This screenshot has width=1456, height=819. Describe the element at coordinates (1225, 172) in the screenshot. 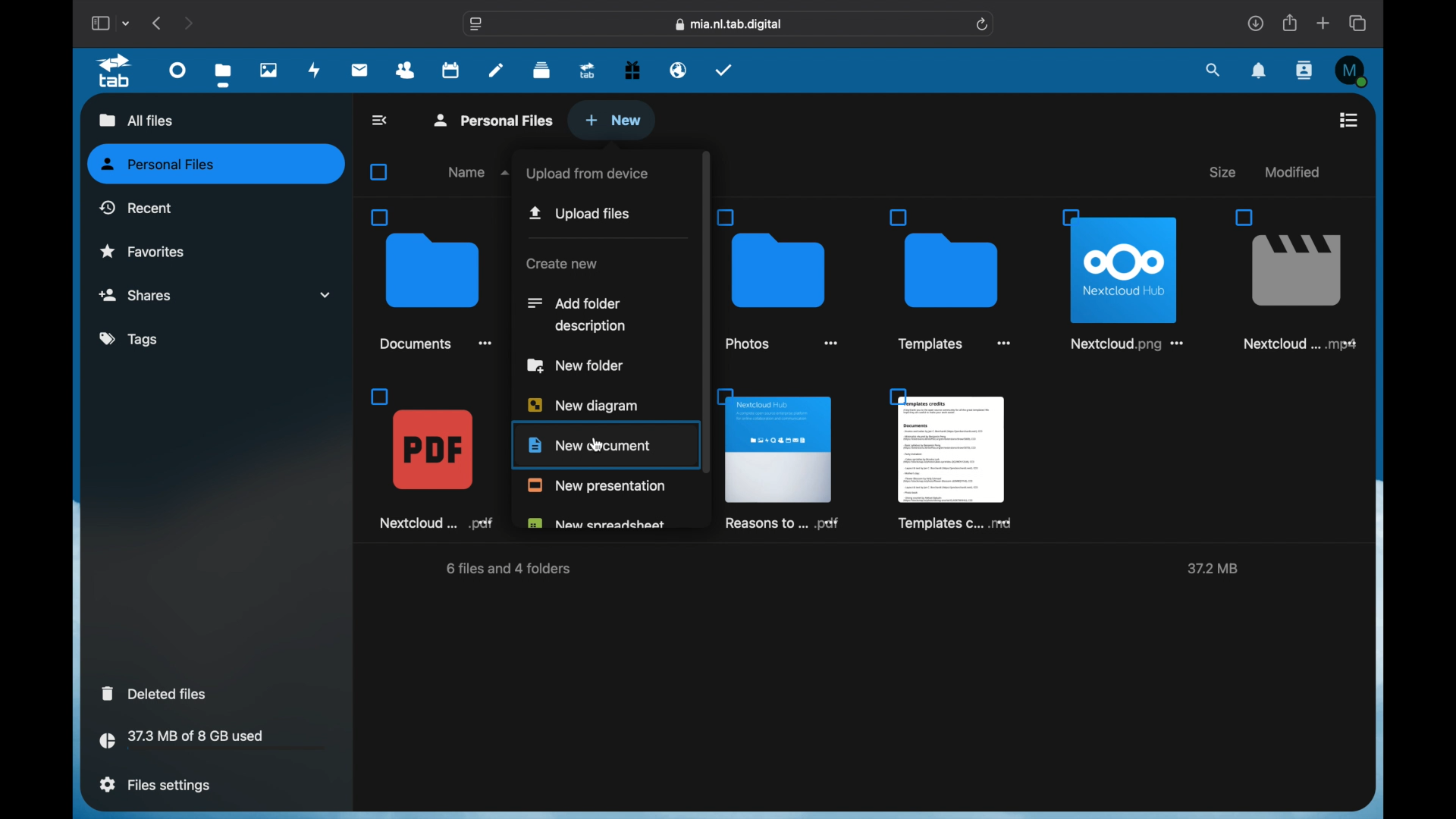

I see `size` at that location.